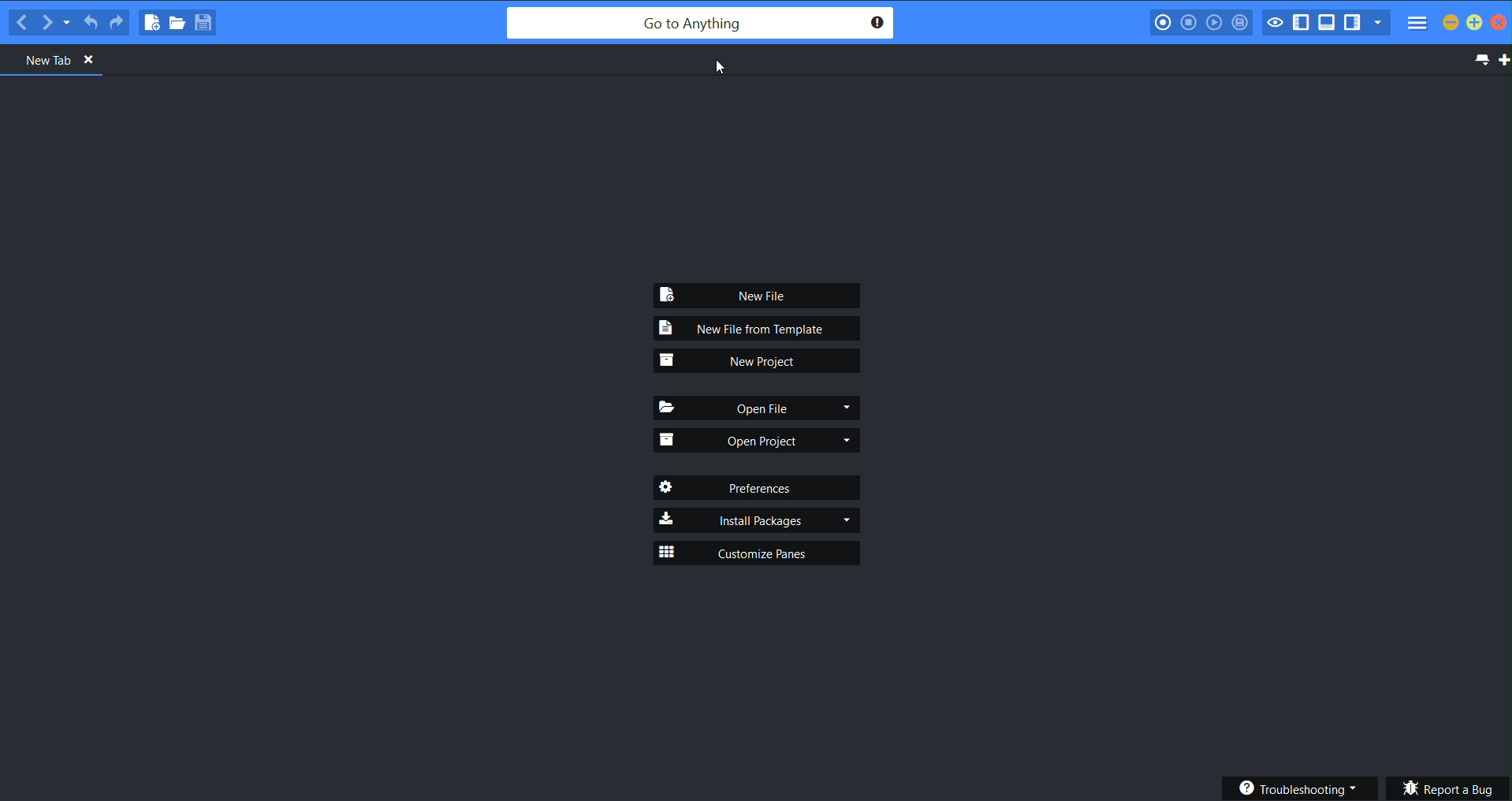 This screenshot has width=1512, height=801. Describe the element at coordinates (762, 489) in the screenshot. I see `preferences` at that location.